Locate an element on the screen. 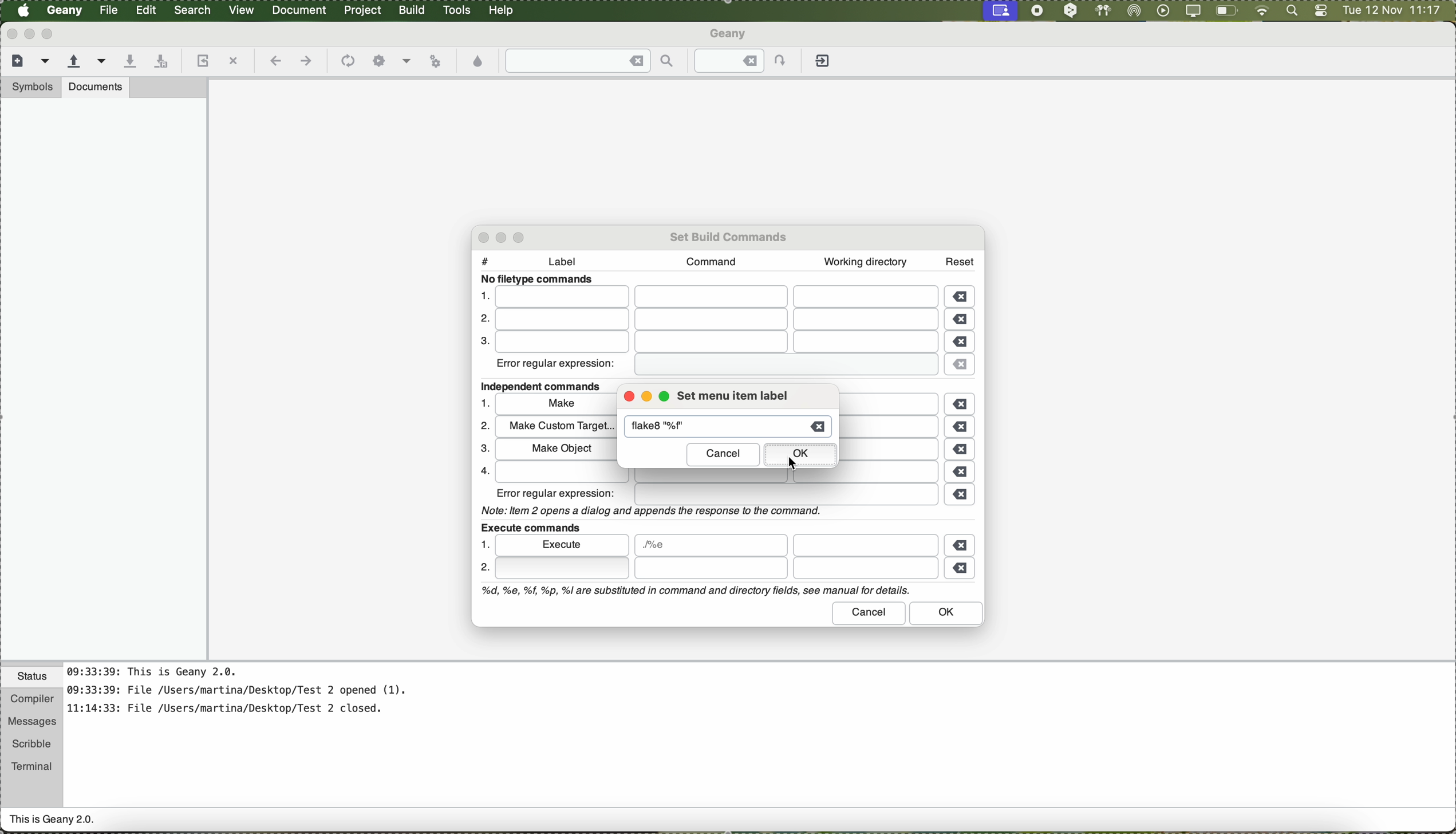 The height and width of the screenshot is (834, 1456). filetype commands is located at coordinates (540, 280).